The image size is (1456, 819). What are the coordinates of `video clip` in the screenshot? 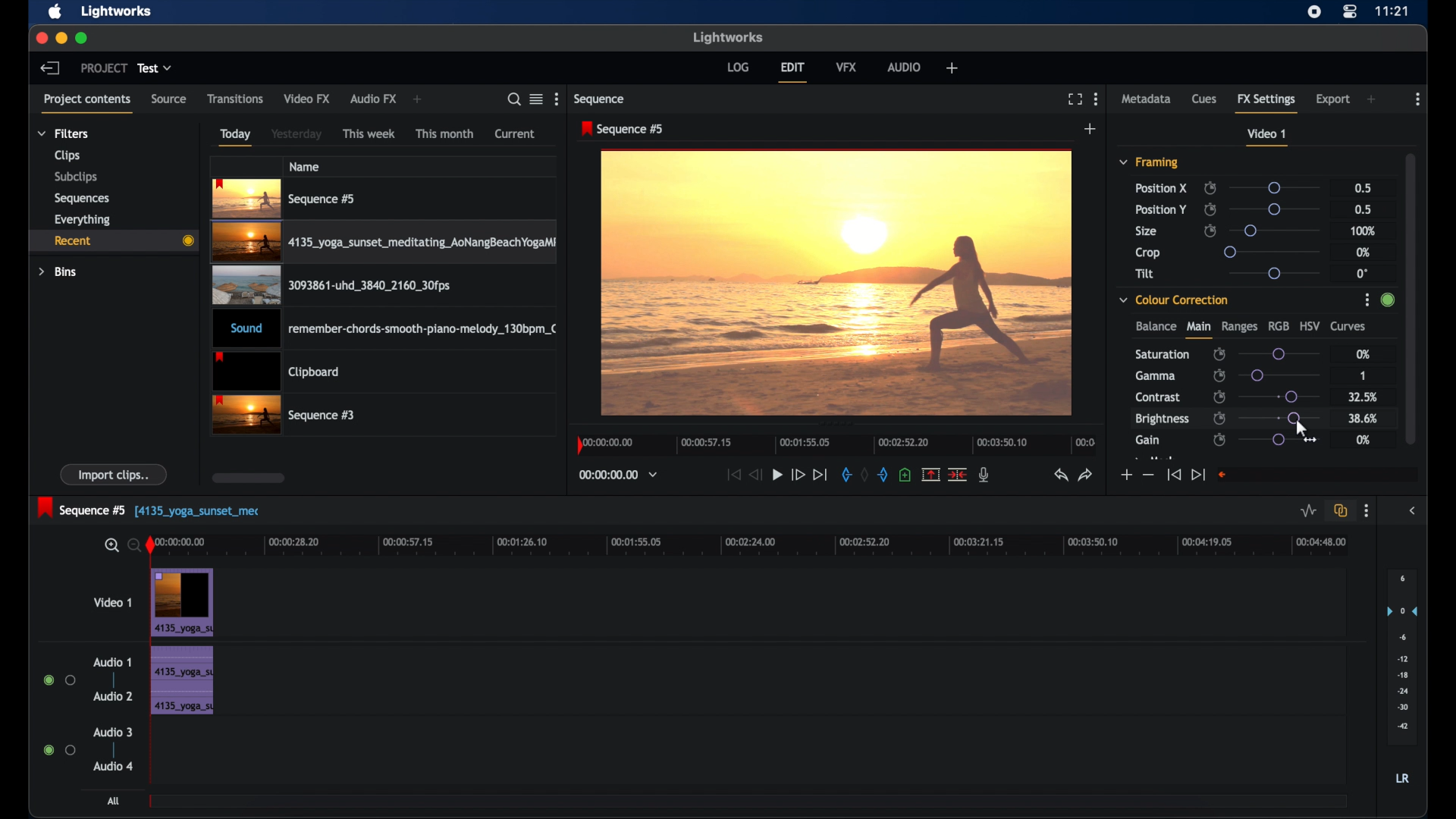 It's located at (285, 416).